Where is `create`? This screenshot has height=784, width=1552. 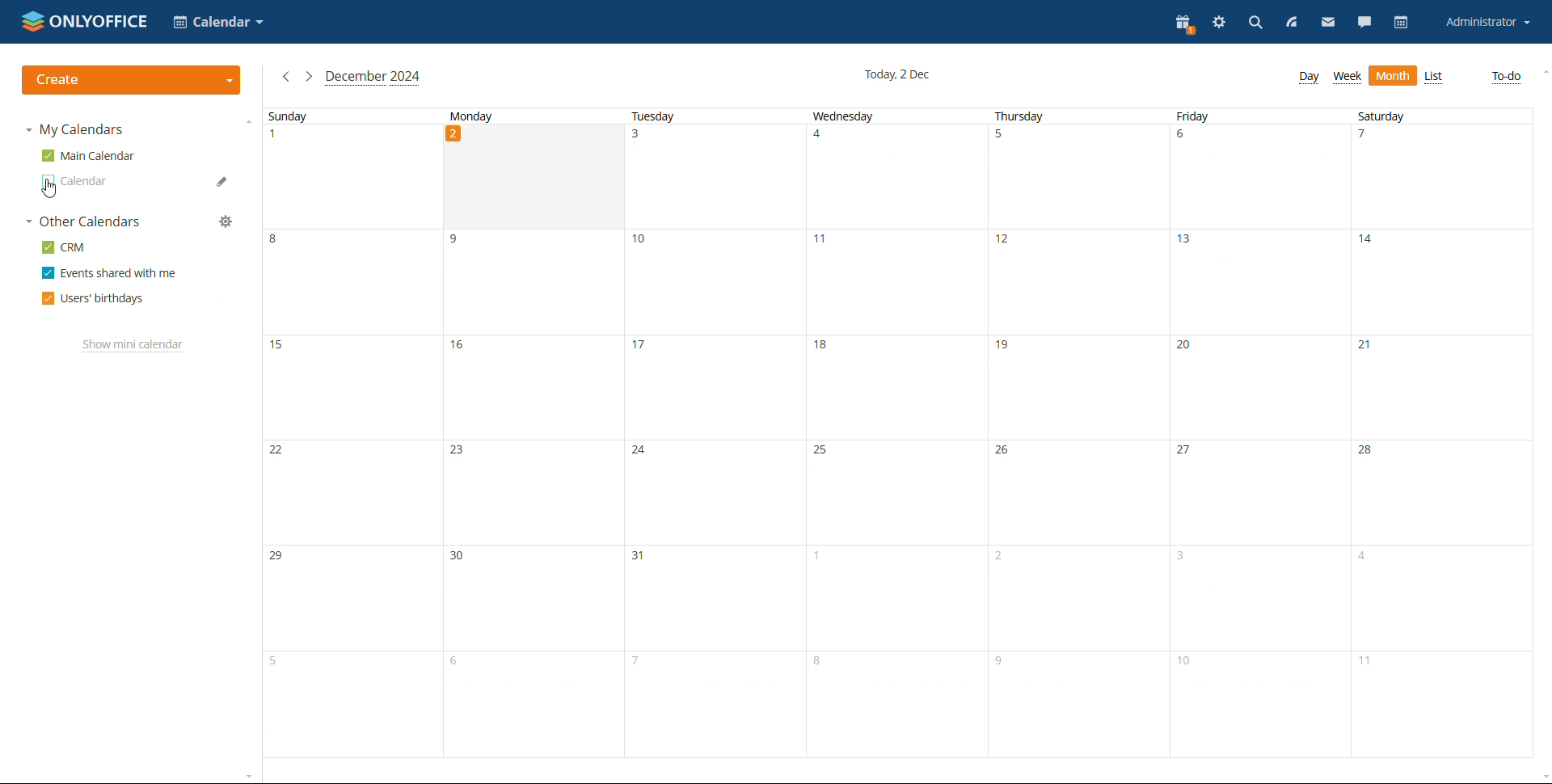
create is located at coordinates (132, 80).